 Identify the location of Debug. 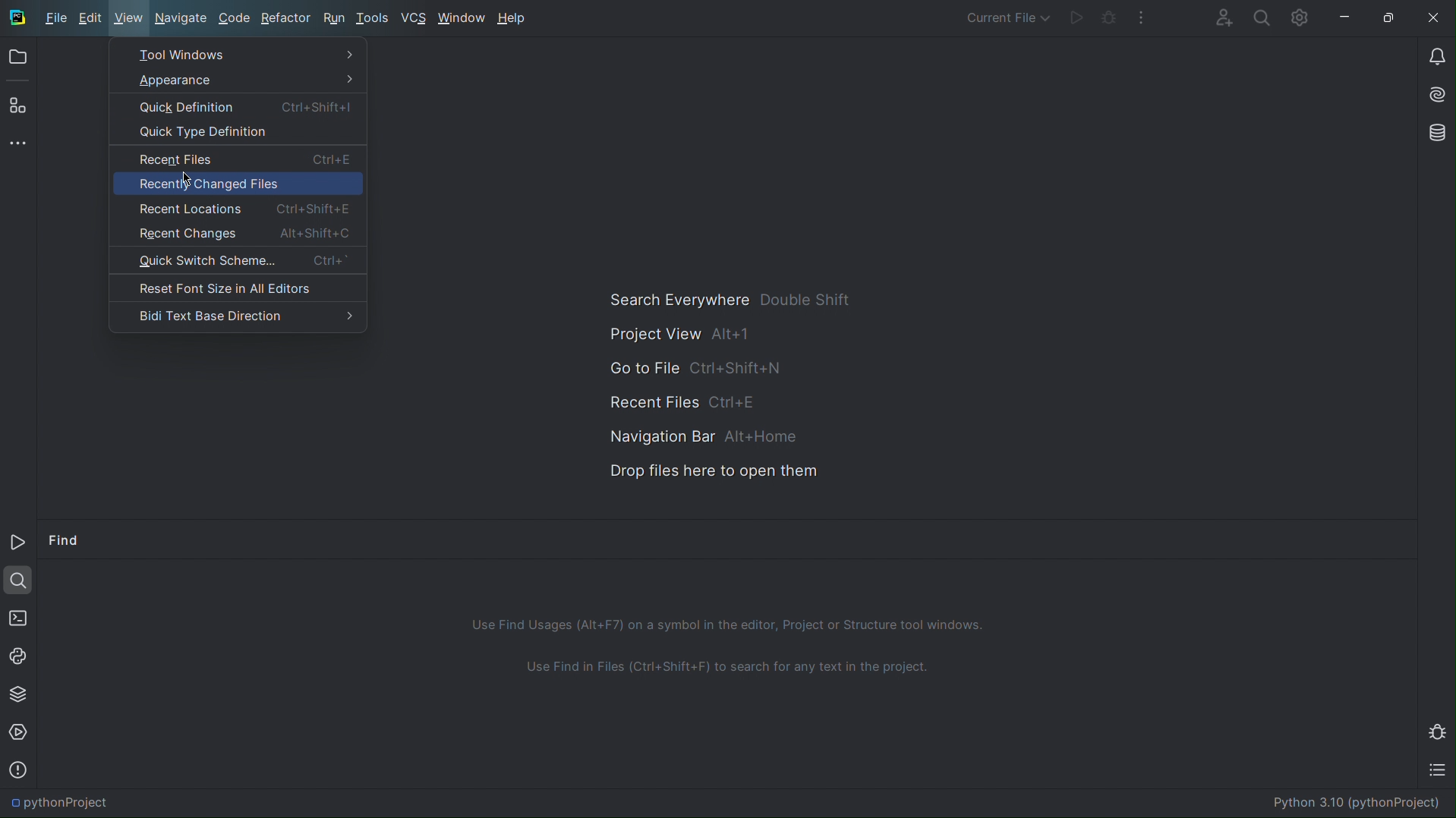
(1439, 731).